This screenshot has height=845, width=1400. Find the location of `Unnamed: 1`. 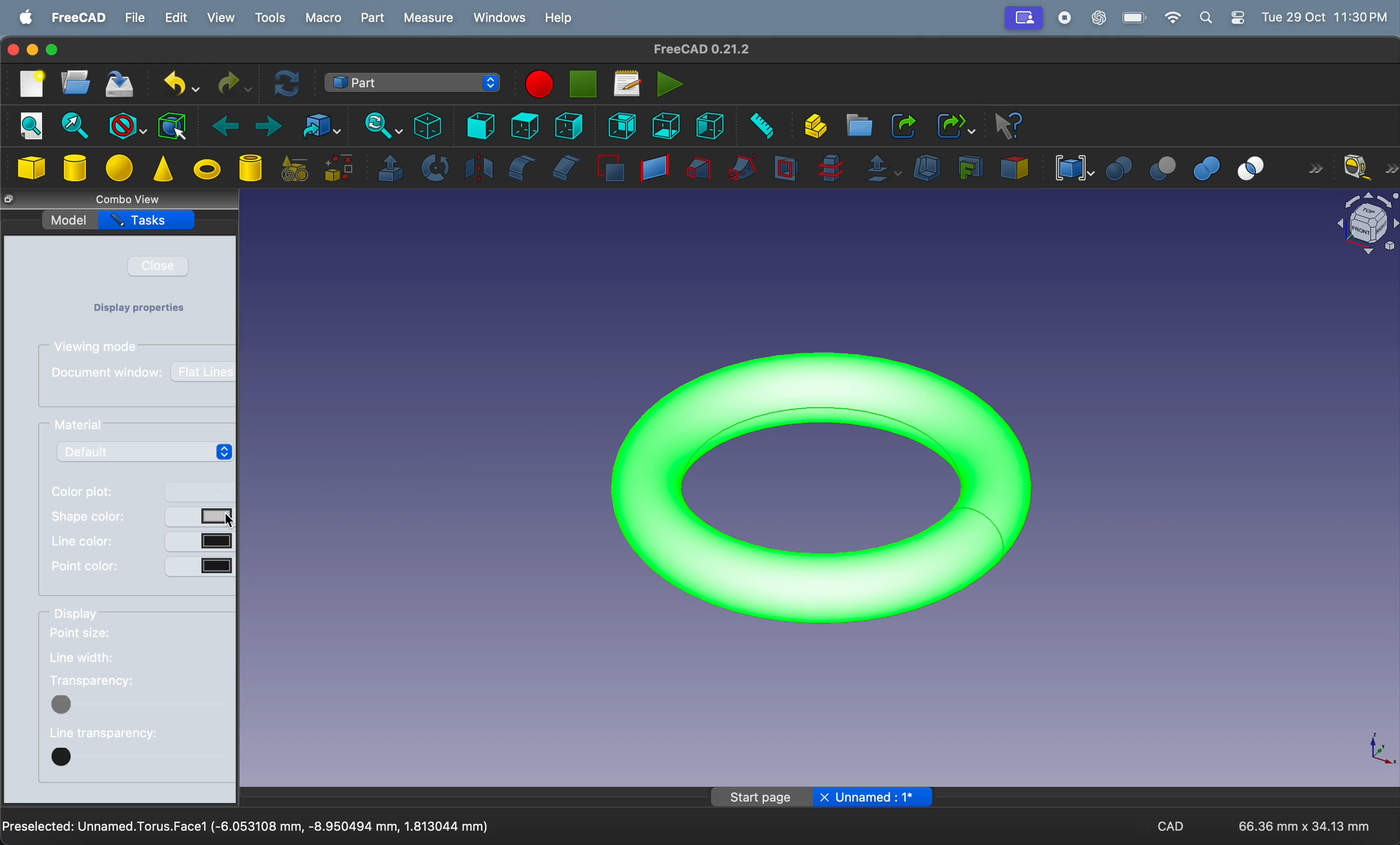

Unnamed: 1 is located at coordinates (872, 797).